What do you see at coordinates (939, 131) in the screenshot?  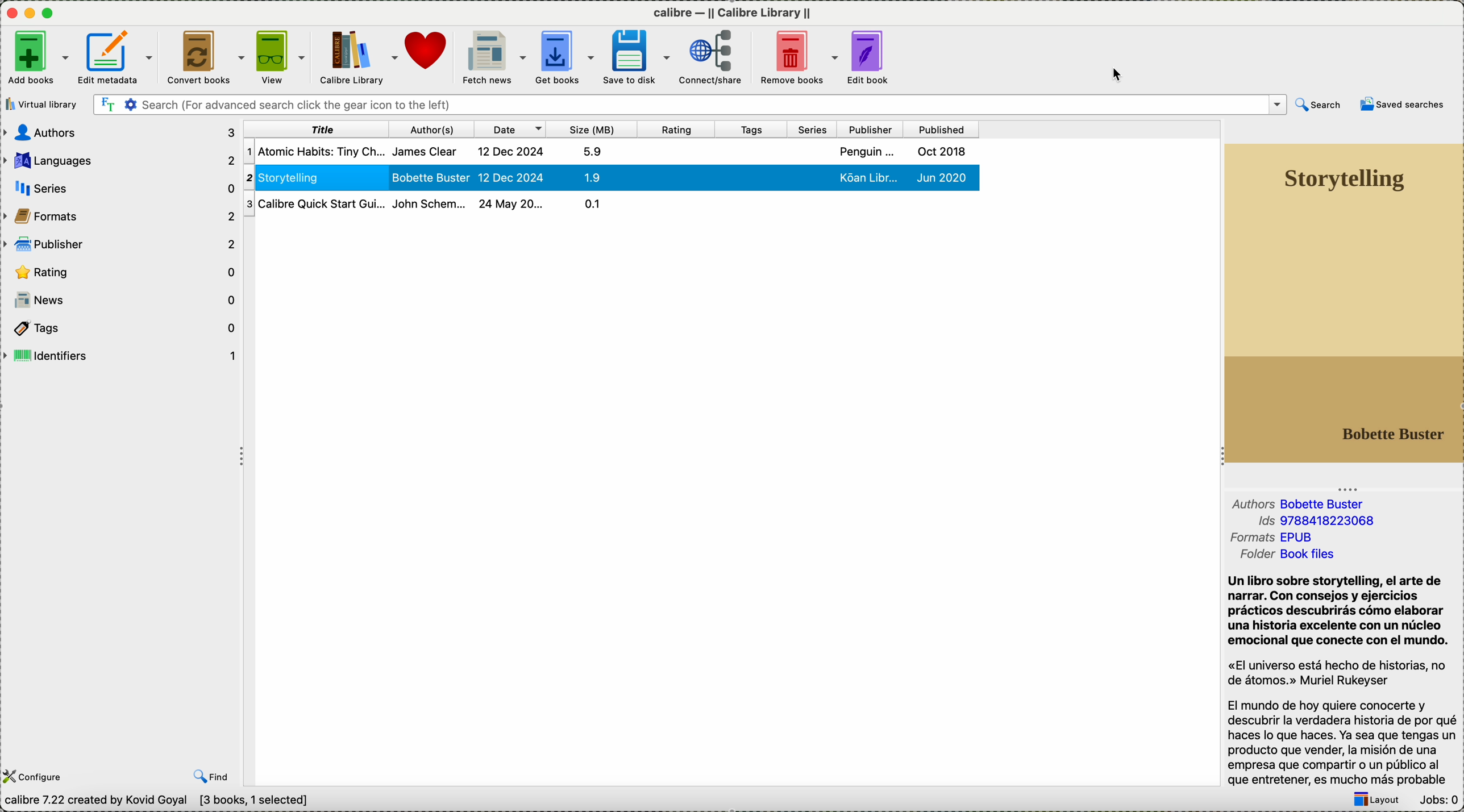 I see `published` at bounding box center [939, 131].